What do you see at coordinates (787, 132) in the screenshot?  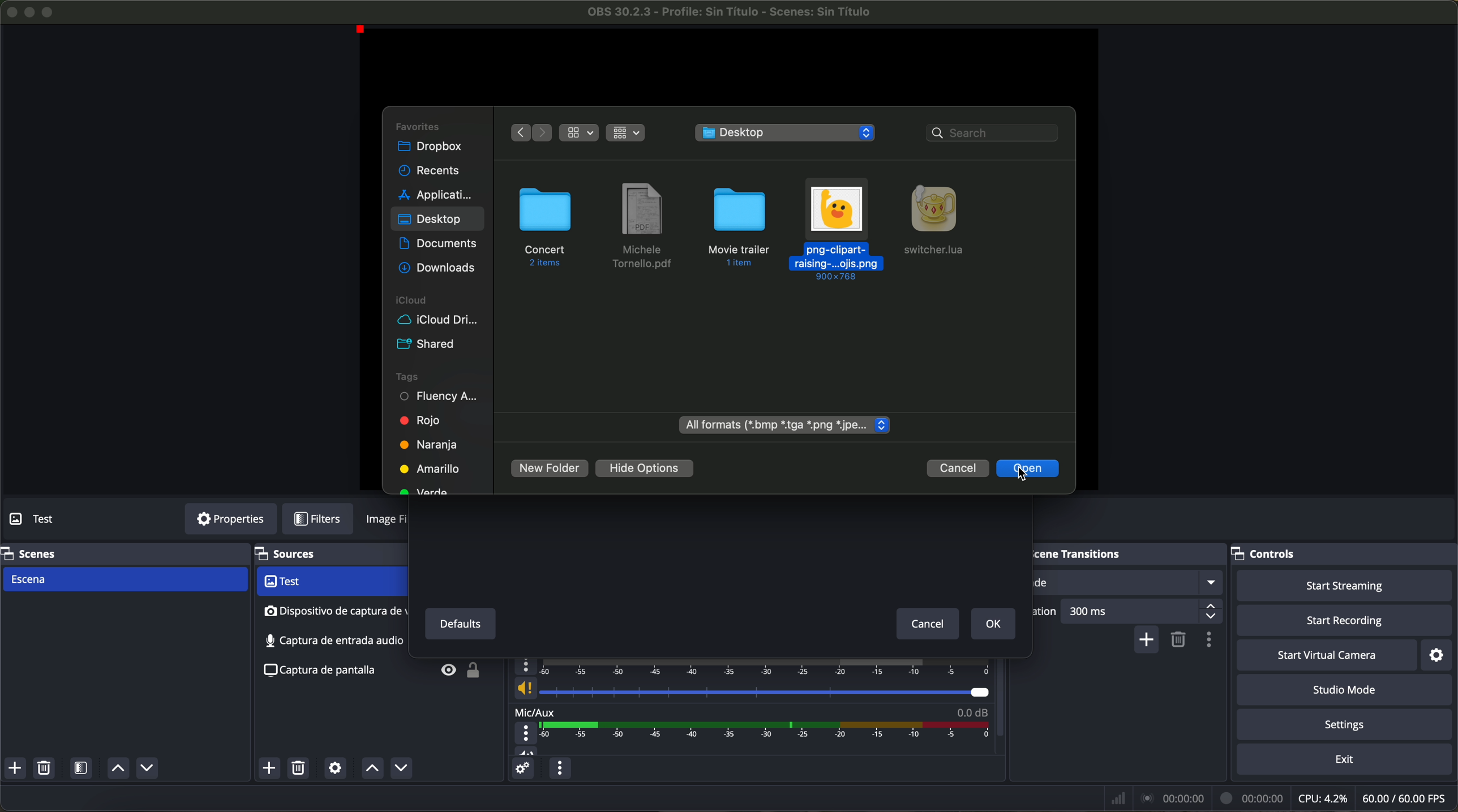 I see `desktop` at bounding box center [787, 132].